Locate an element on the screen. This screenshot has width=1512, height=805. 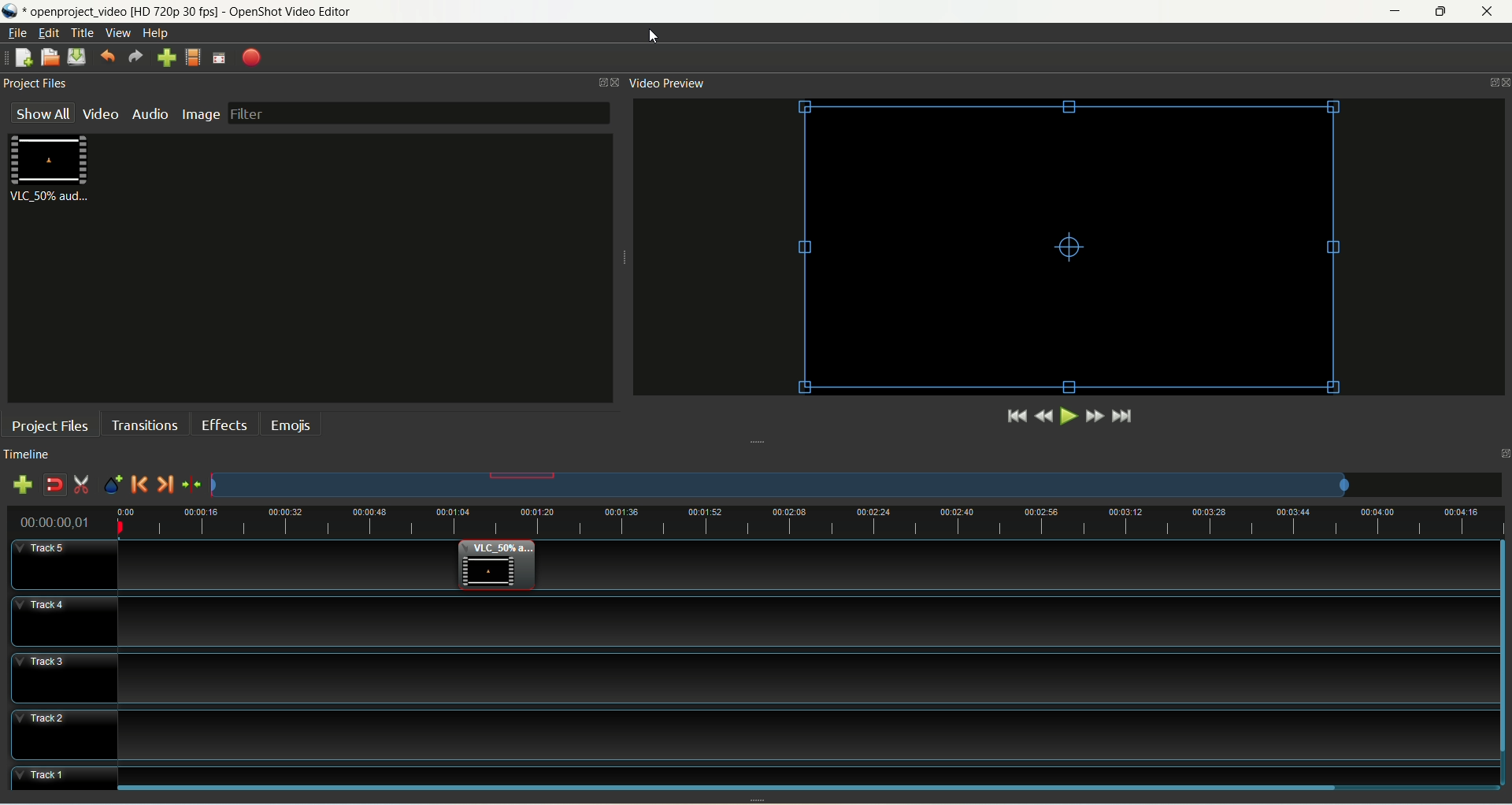
show all is located at coordinates (42, 112).